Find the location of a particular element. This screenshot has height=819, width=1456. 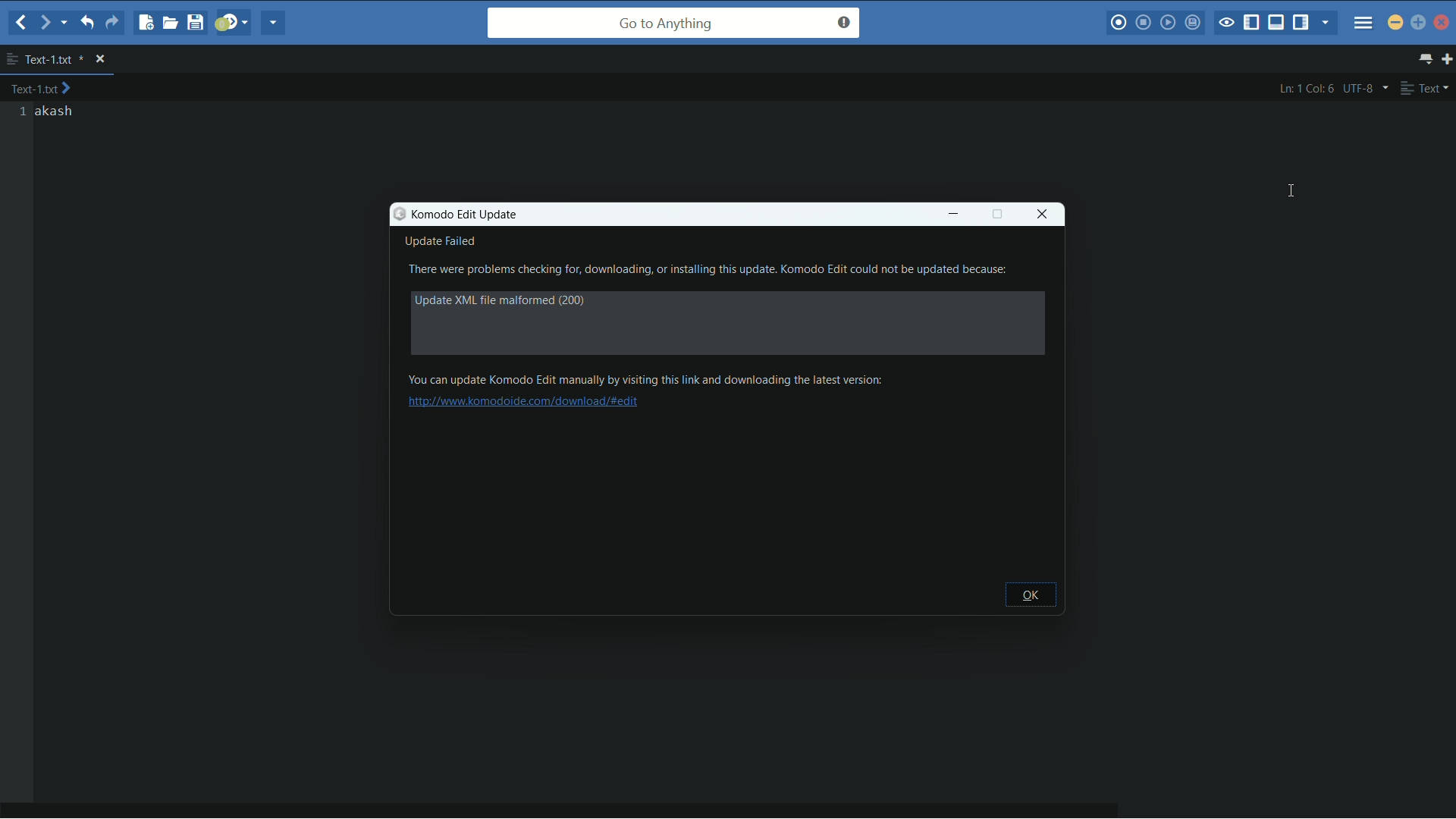

cursor position is located at coordinates (1307, 88).